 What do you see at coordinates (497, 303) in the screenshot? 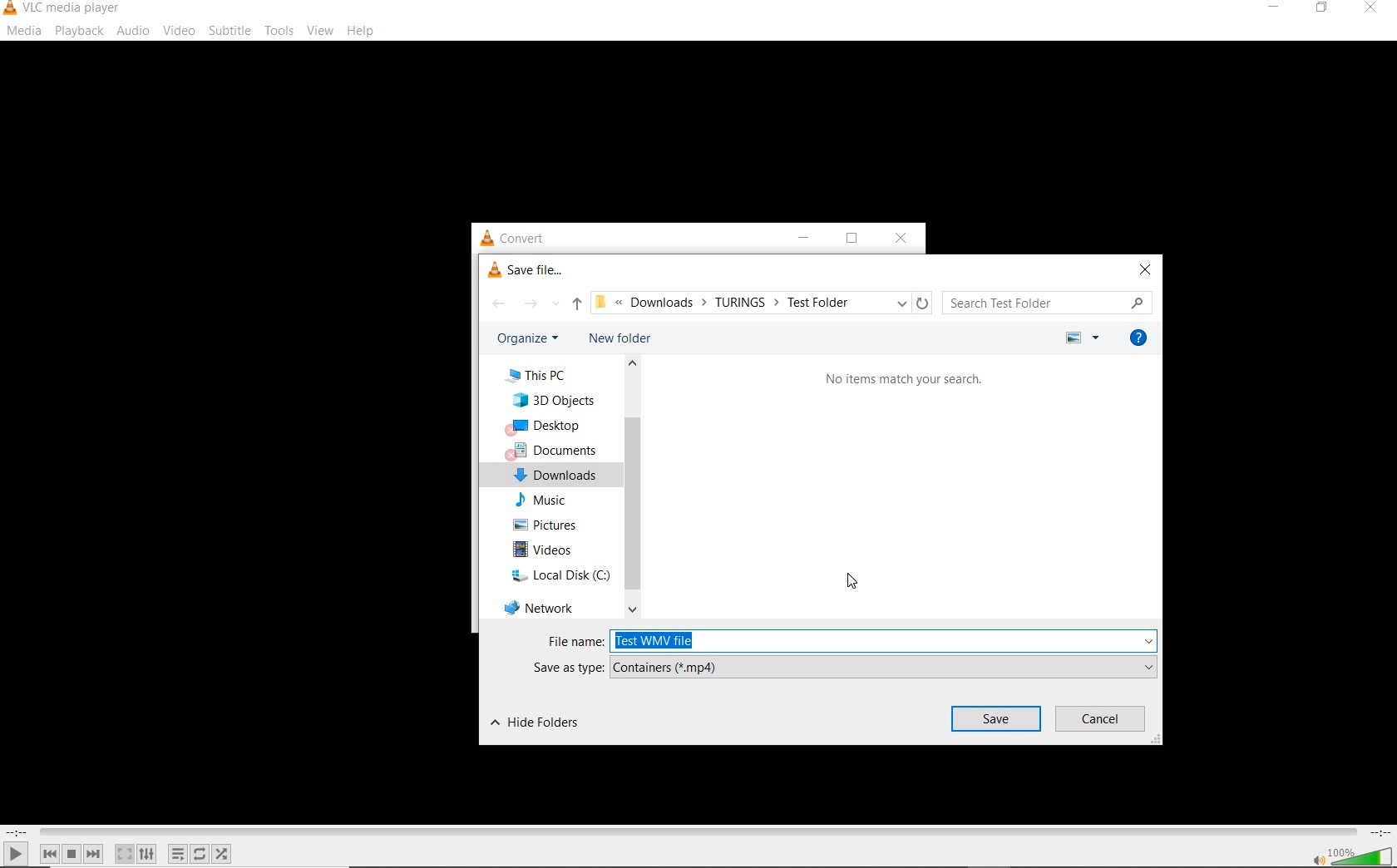
I see `back` at bounding box center [497, 303].